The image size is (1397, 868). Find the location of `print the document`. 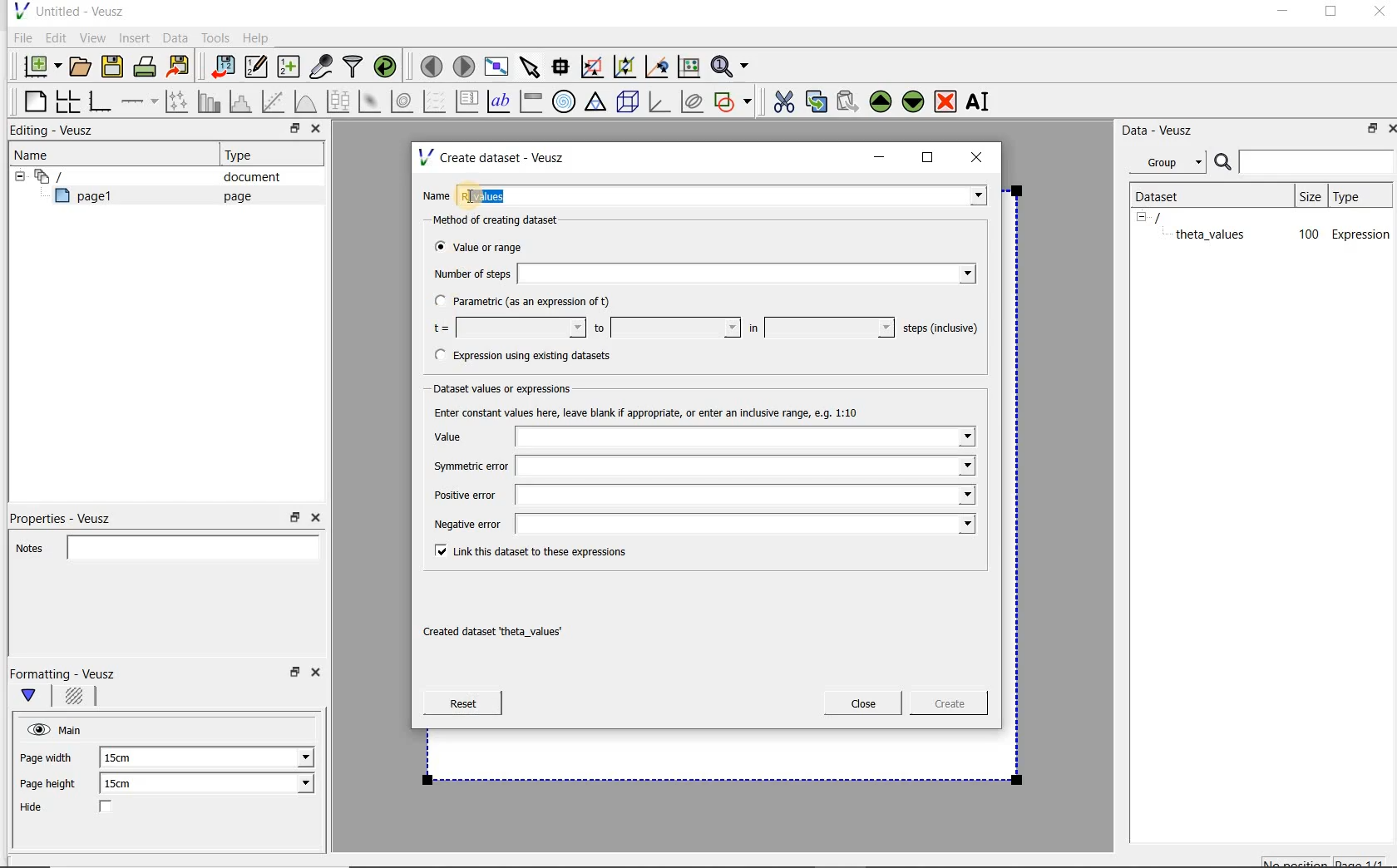

print the document is located at coordinates (148, 66).